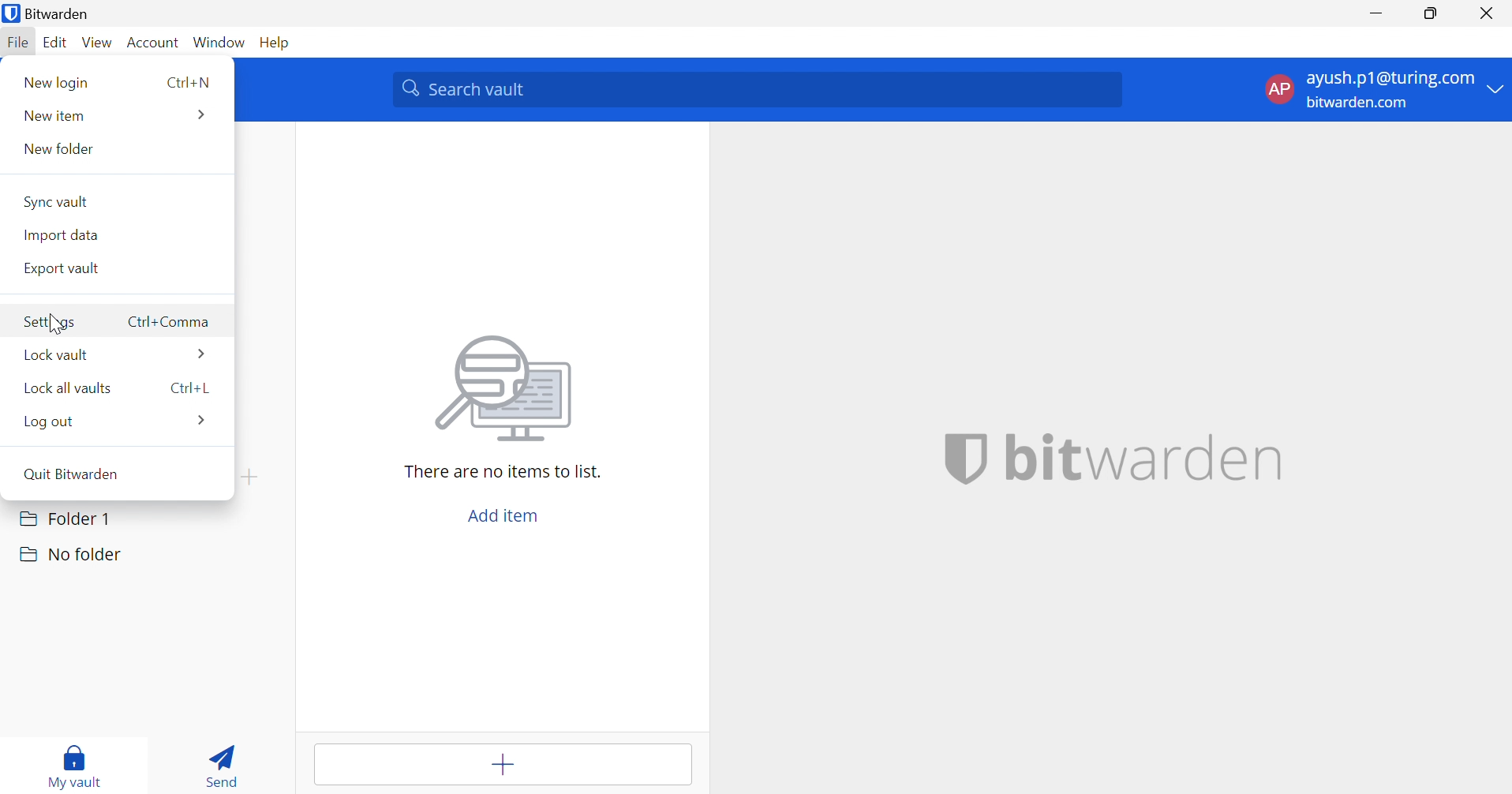 Image resolution: width=1512 pixels, height=794 pixels. Describe the element at coordinates (21, 43) in the screenshot. I see `File` at that location.